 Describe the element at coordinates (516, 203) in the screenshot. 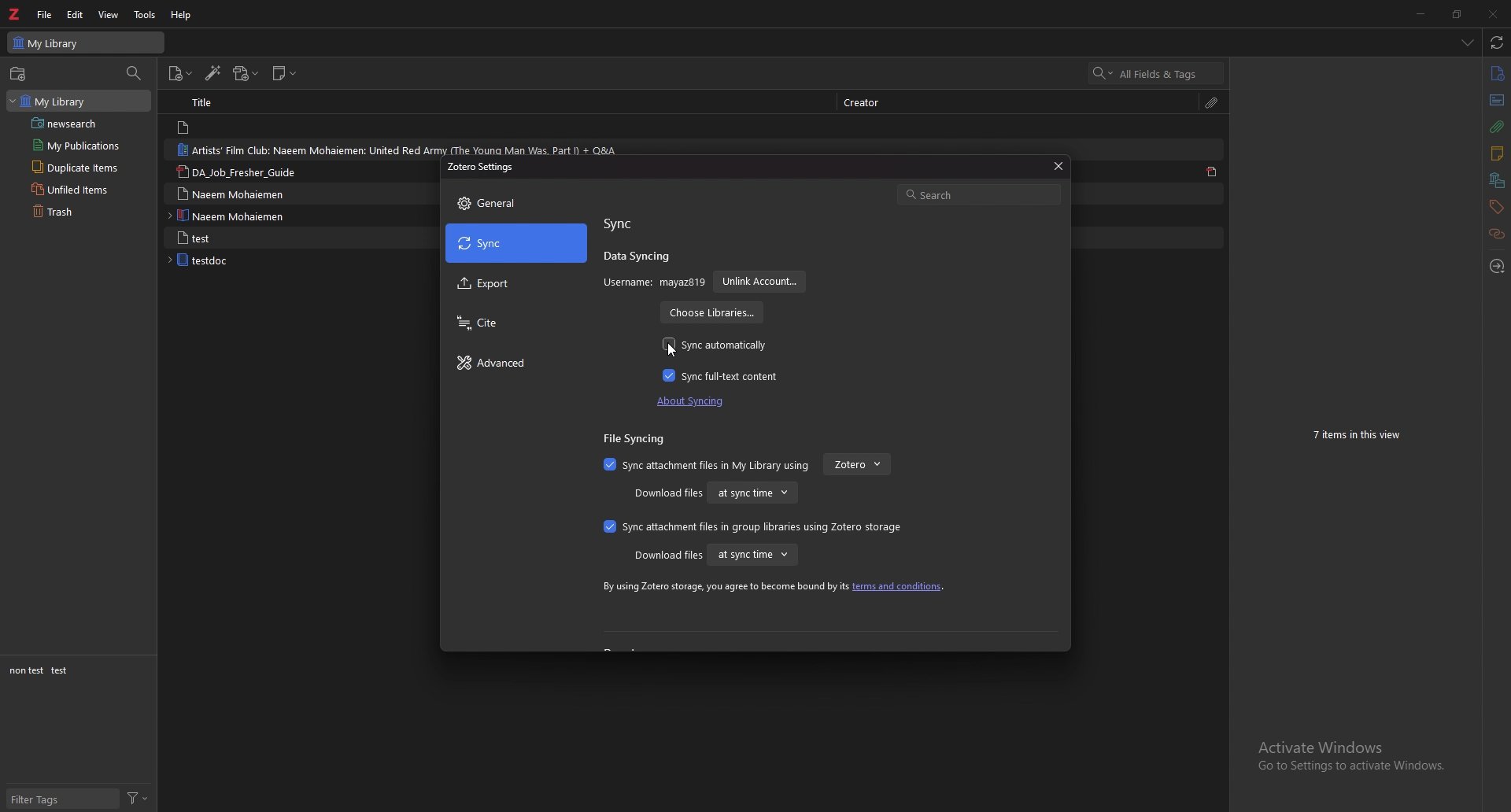

I see `general` at that location.